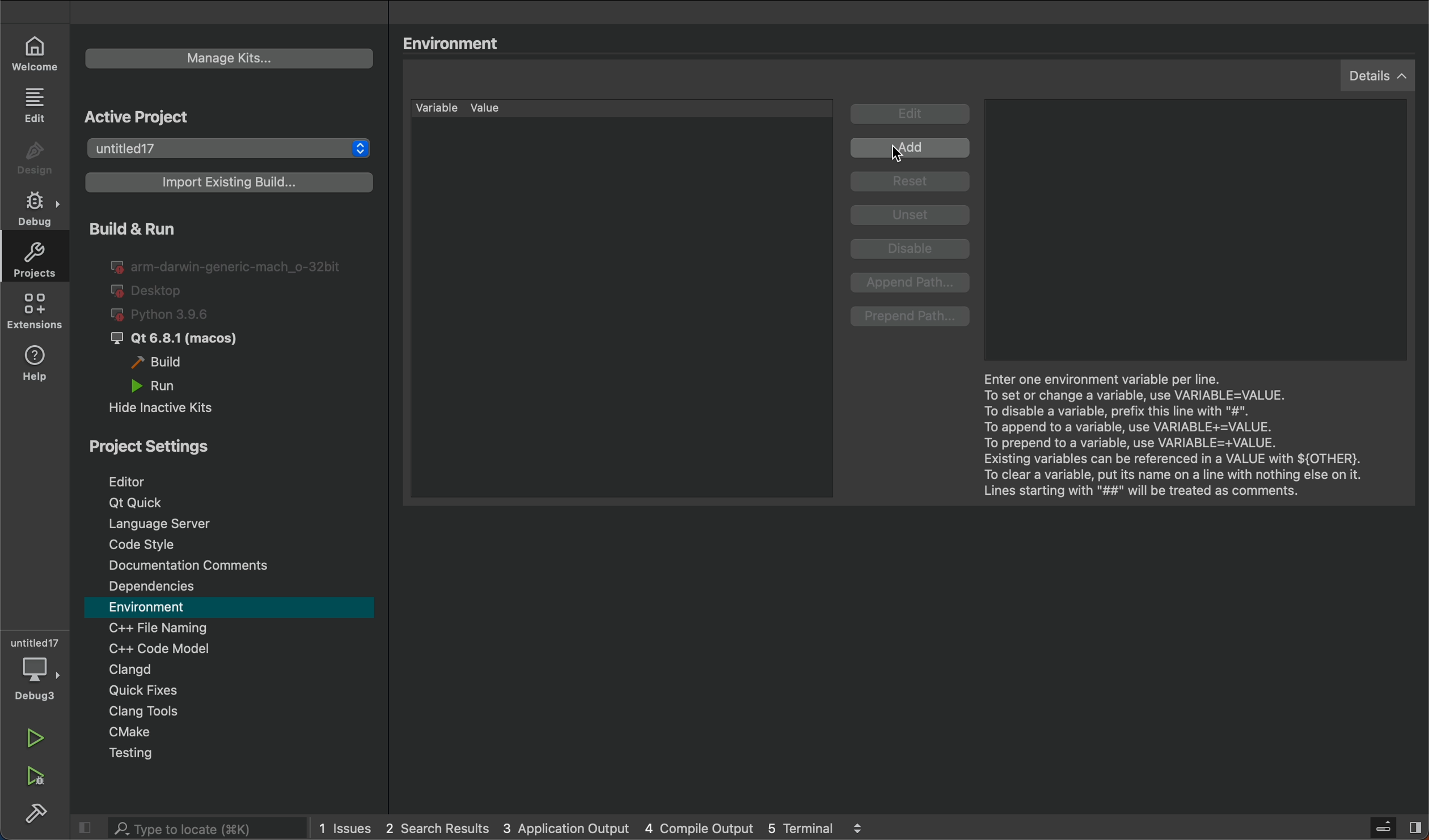 This screenshot has width=1429, height=840. Describe the element at coordinates (36, 366) in the screenshot. I see `help` at that location.